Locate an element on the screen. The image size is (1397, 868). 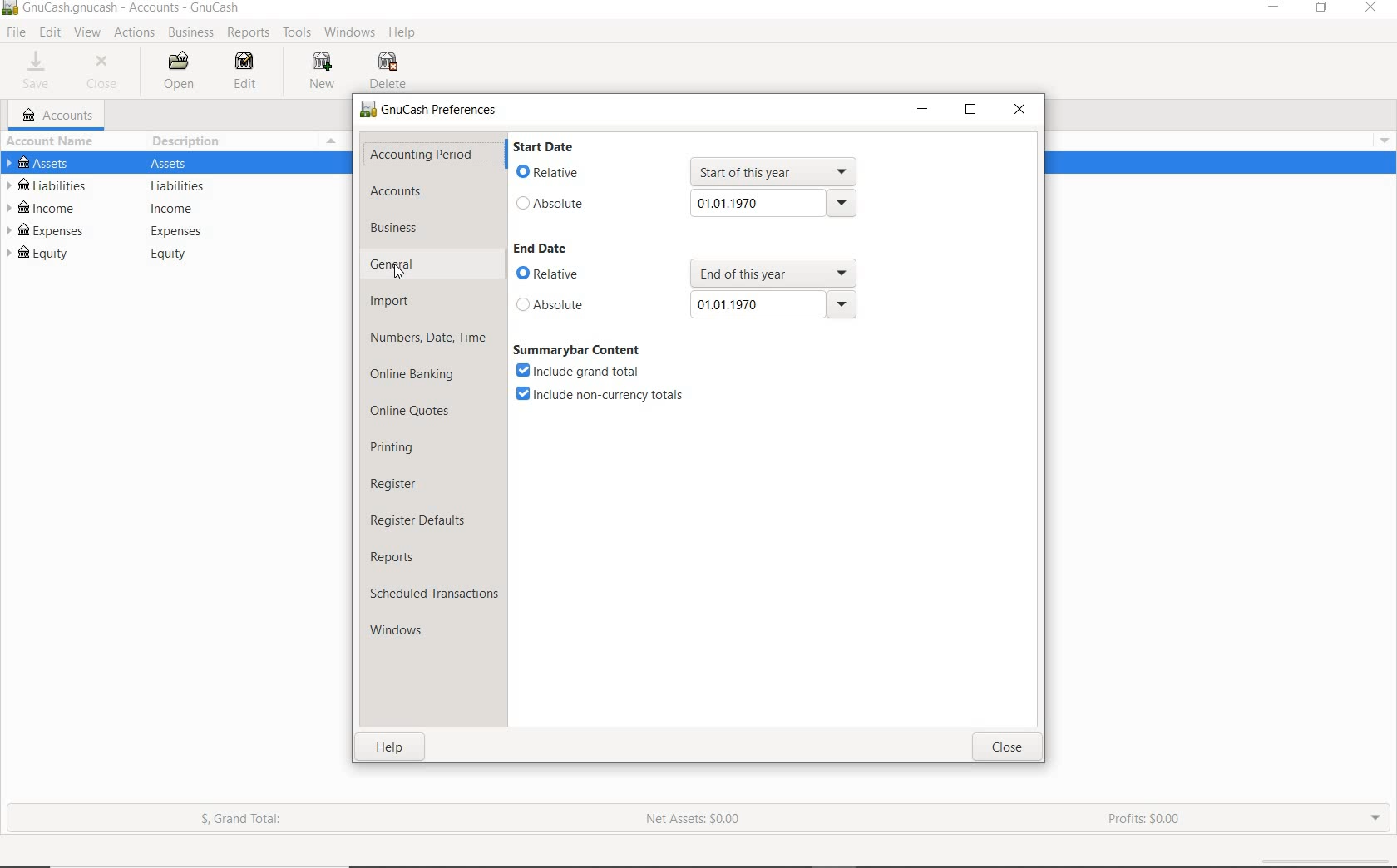
INCOME is located at coordinates (170, 207).